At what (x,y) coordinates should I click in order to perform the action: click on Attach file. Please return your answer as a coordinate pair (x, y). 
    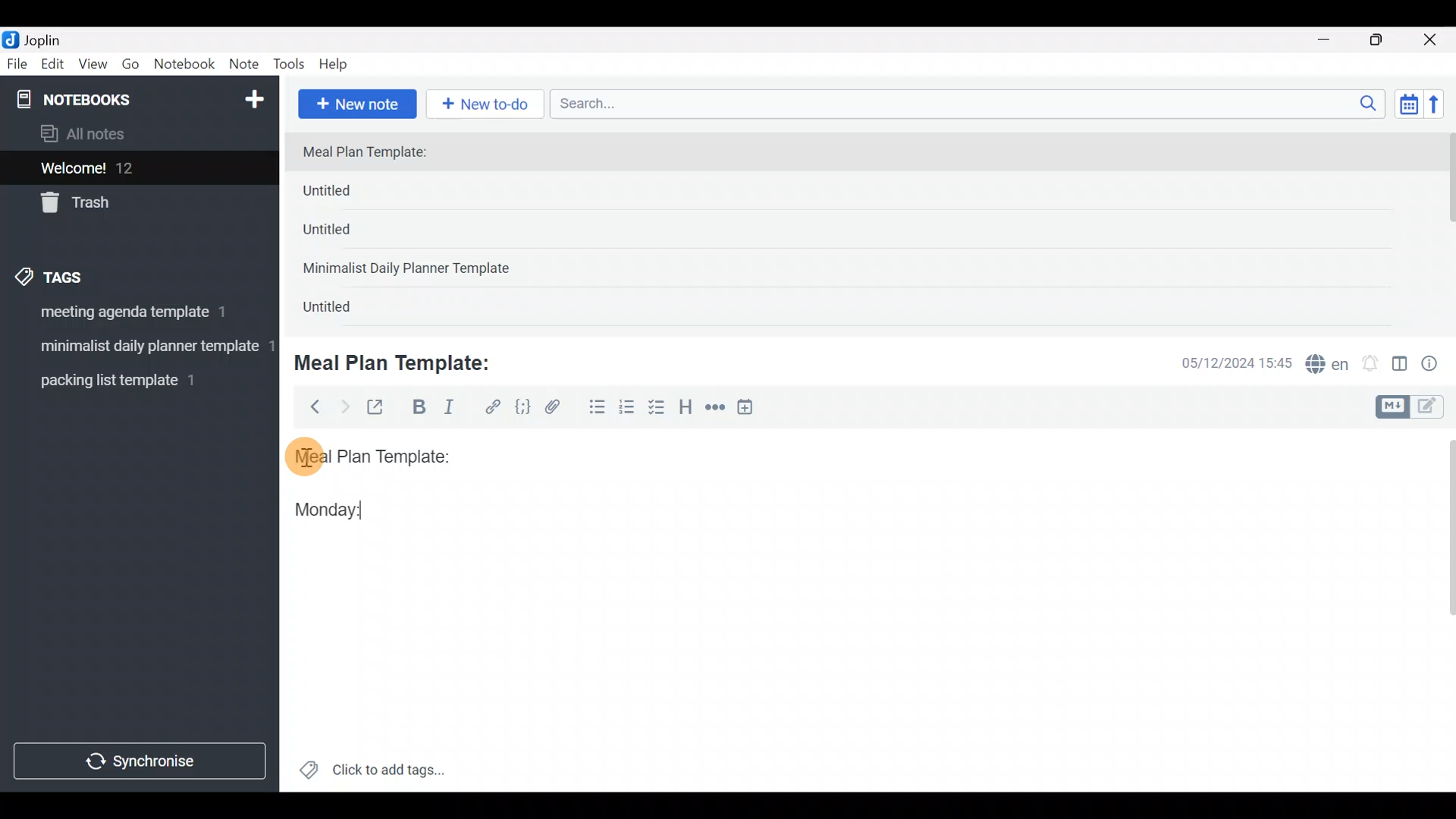
    Looking at the image, I should click on (557, 409).